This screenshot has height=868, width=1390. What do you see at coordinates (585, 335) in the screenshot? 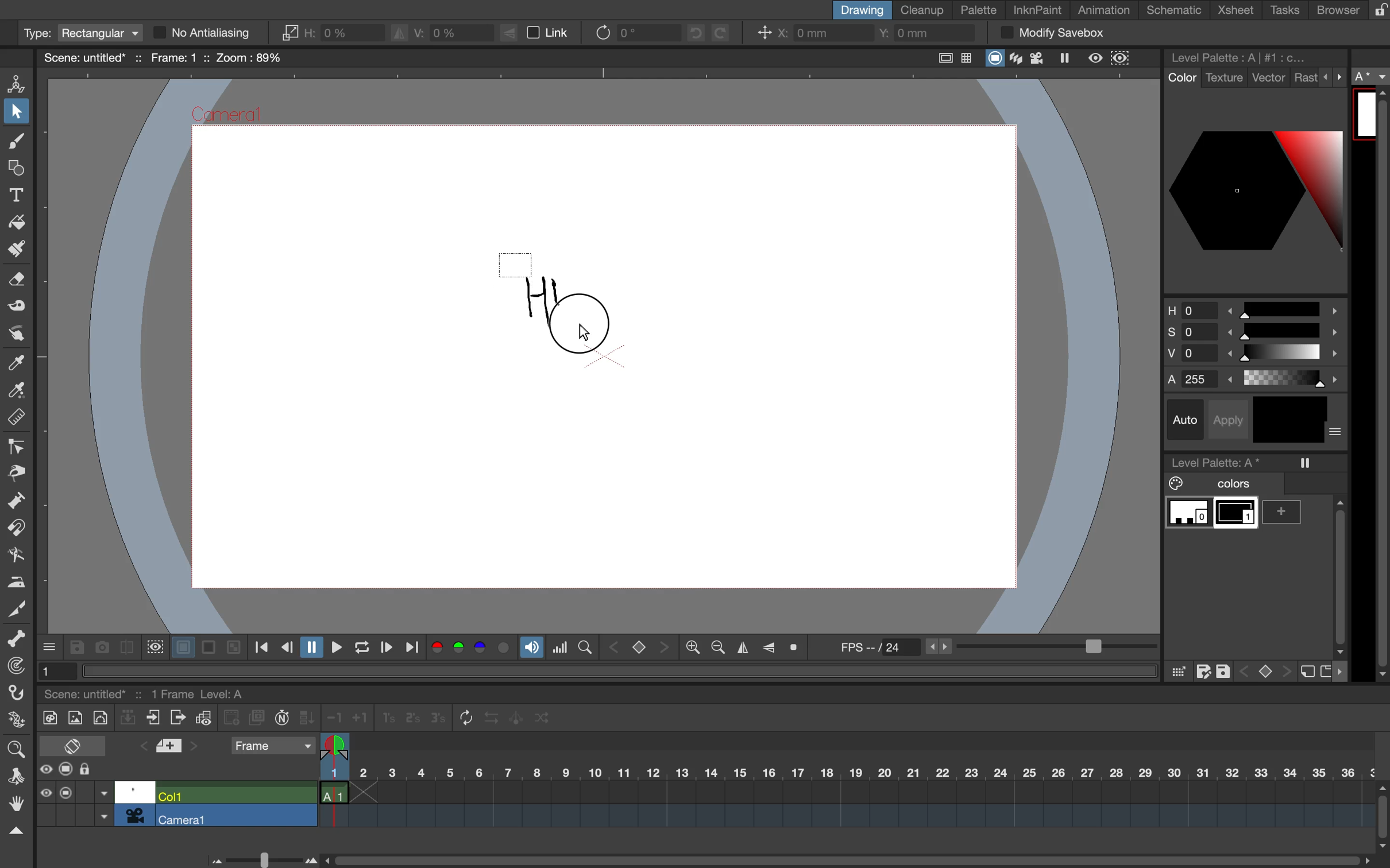
I see `cursor` at bounding box center [585, 335].